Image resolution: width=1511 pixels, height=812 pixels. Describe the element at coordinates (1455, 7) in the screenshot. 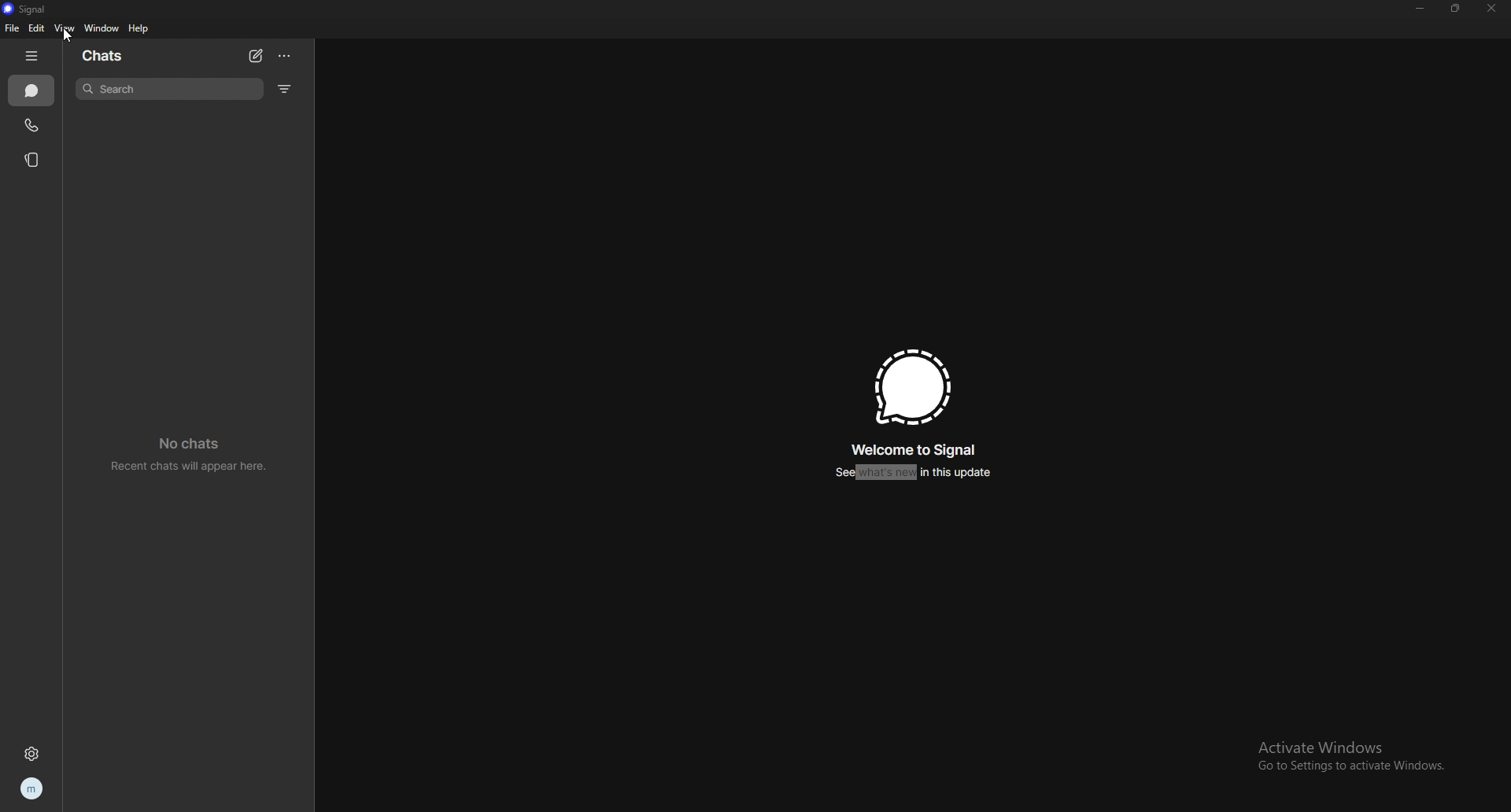

I see `resize` at that location.